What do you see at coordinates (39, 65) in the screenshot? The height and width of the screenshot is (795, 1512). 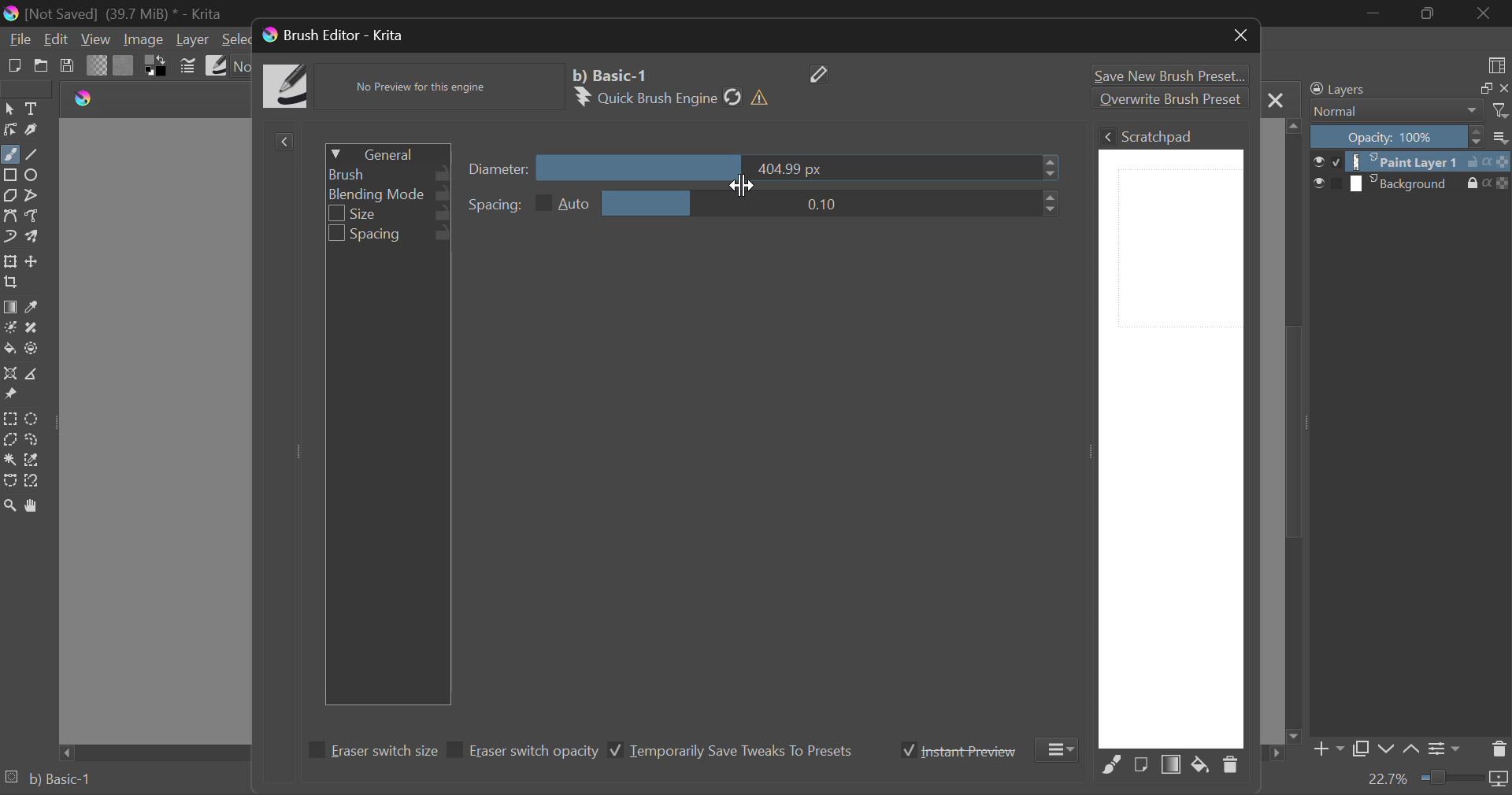 I see `Open` at bounding box center [39, 65].